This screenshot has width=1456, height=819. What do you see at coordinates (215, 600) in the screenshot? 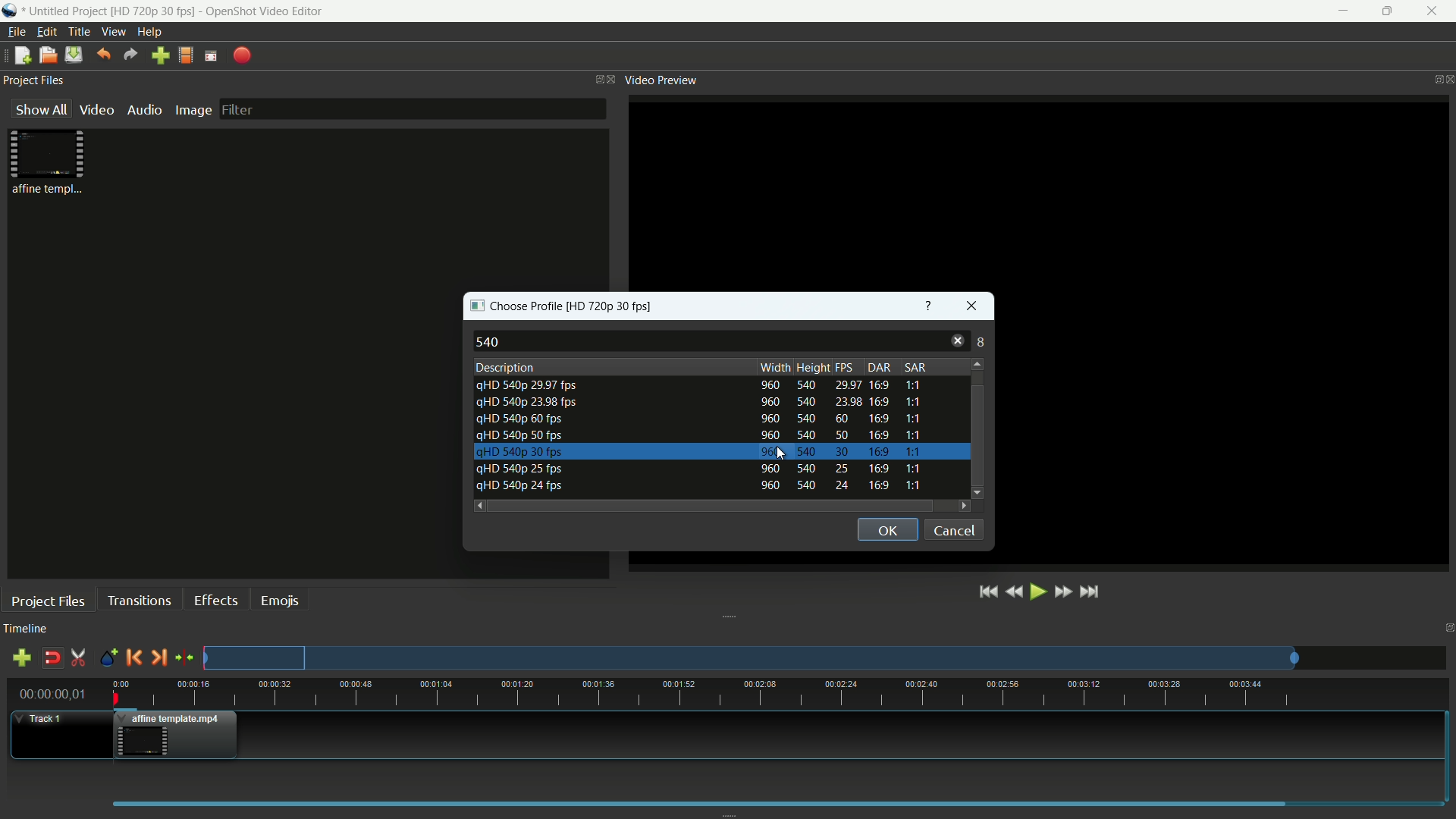
I see `effects` at bounding box center [215, 600].